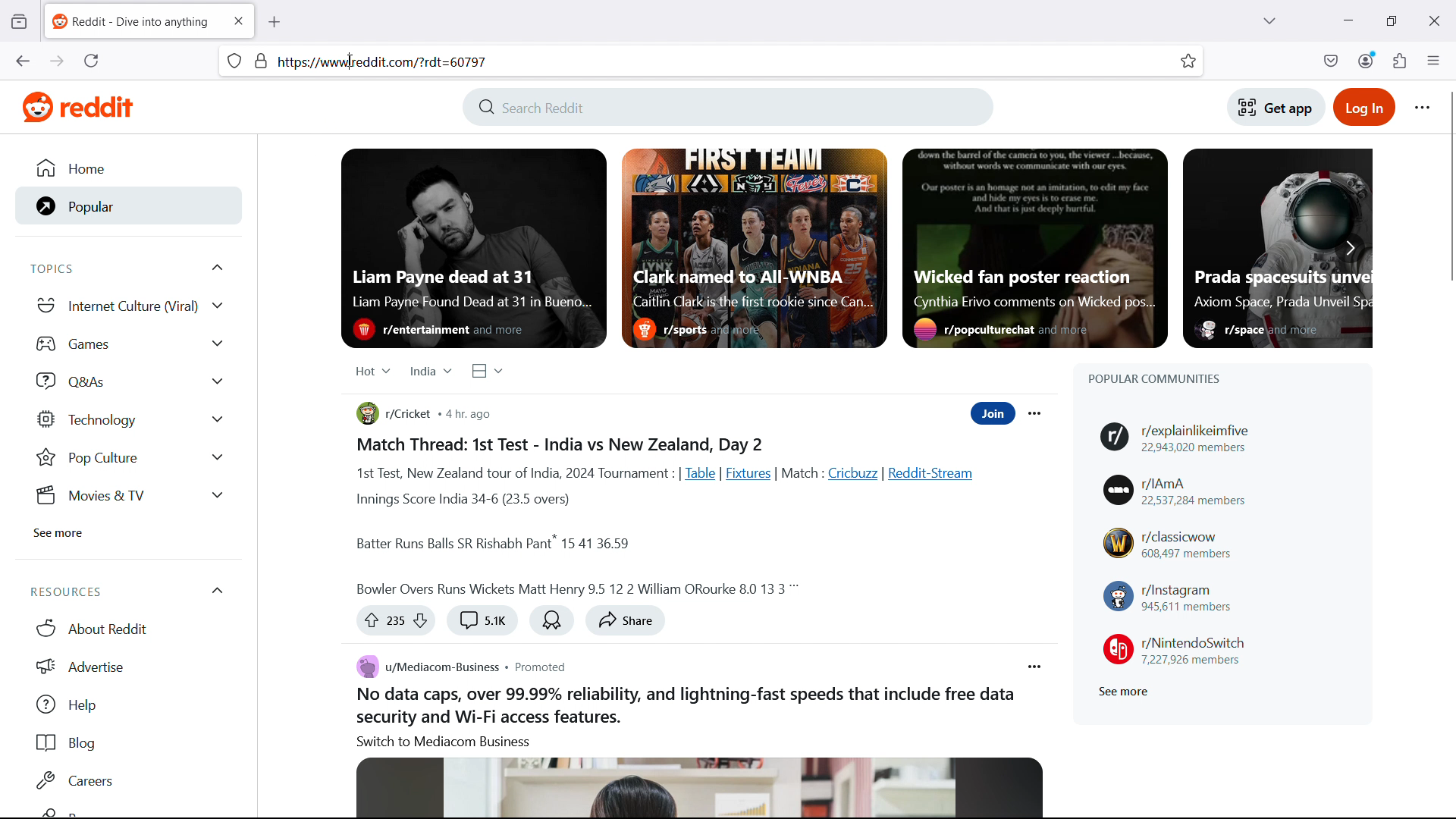 The image size is (1456, 819). I want to click on Select region, so click(430, 371).